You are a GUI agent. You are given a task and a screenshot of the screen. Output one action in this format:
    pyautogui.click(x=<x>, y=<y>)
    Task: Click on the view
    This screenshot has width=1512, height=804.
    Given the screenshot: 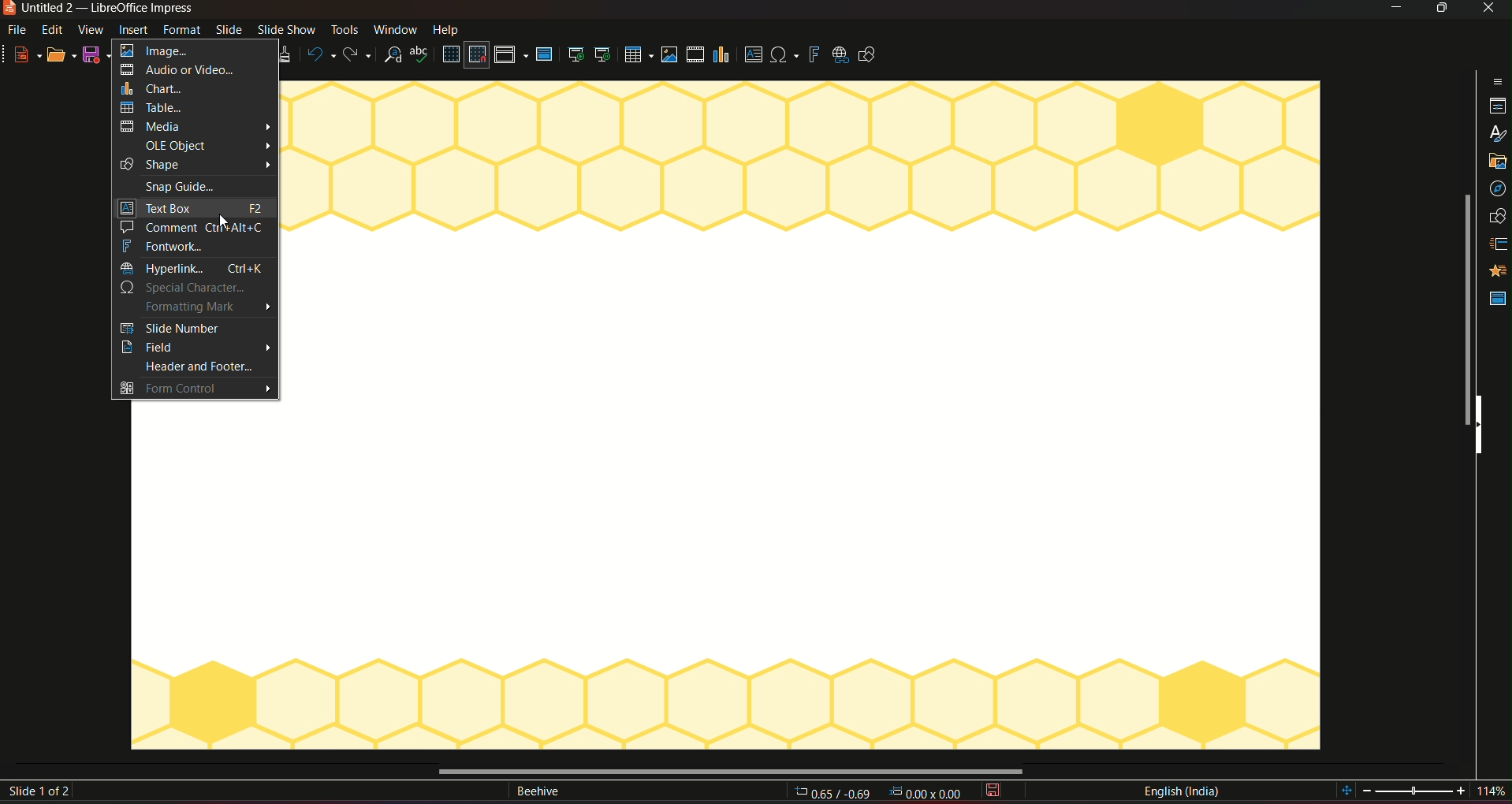 What is the action you would take?
    pyautogui.click(x=91, y=30)
    